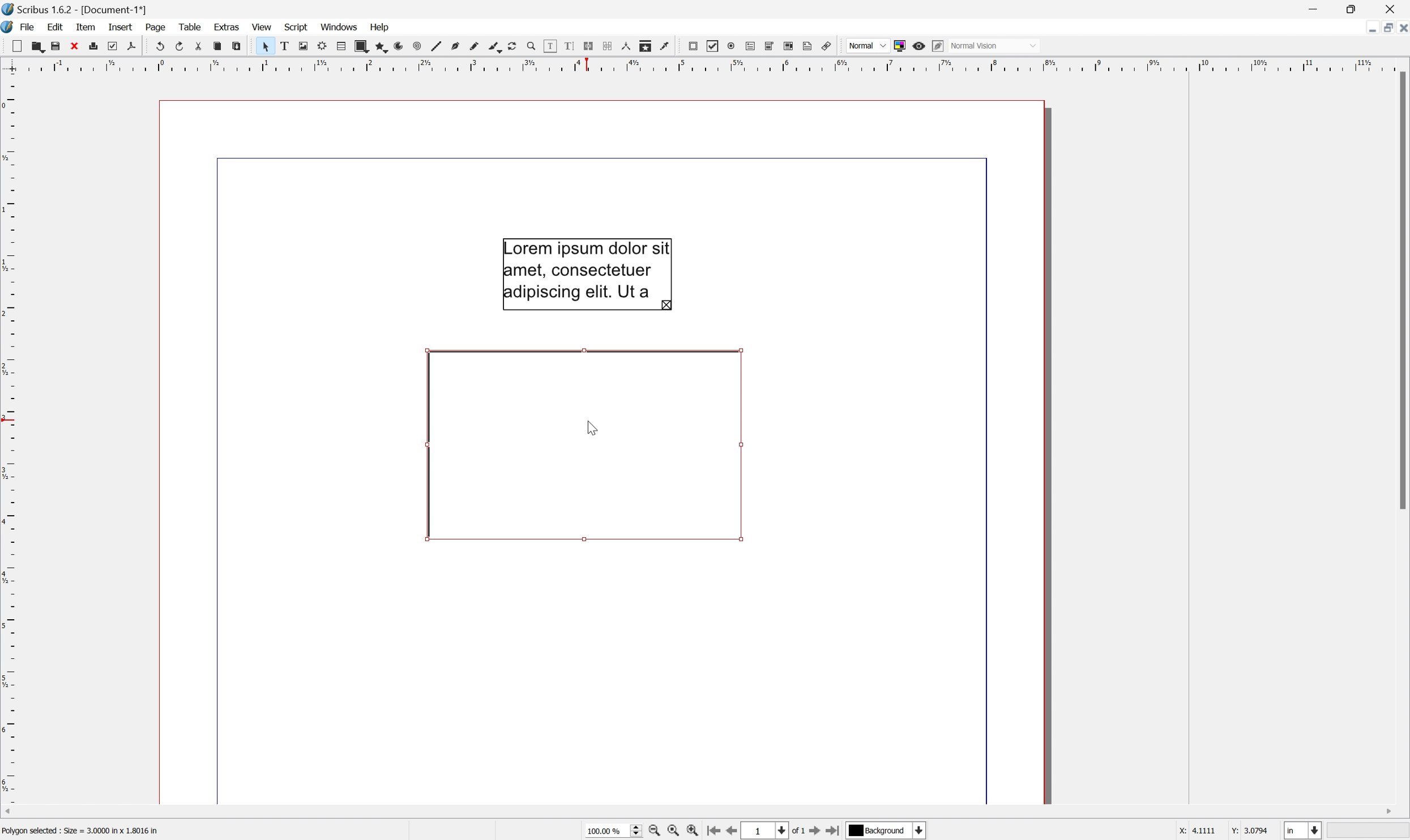  What do you see at coordinates (613, 832) in the screenshot?
I see `Current zoom level` at bounding box center [613, 832].